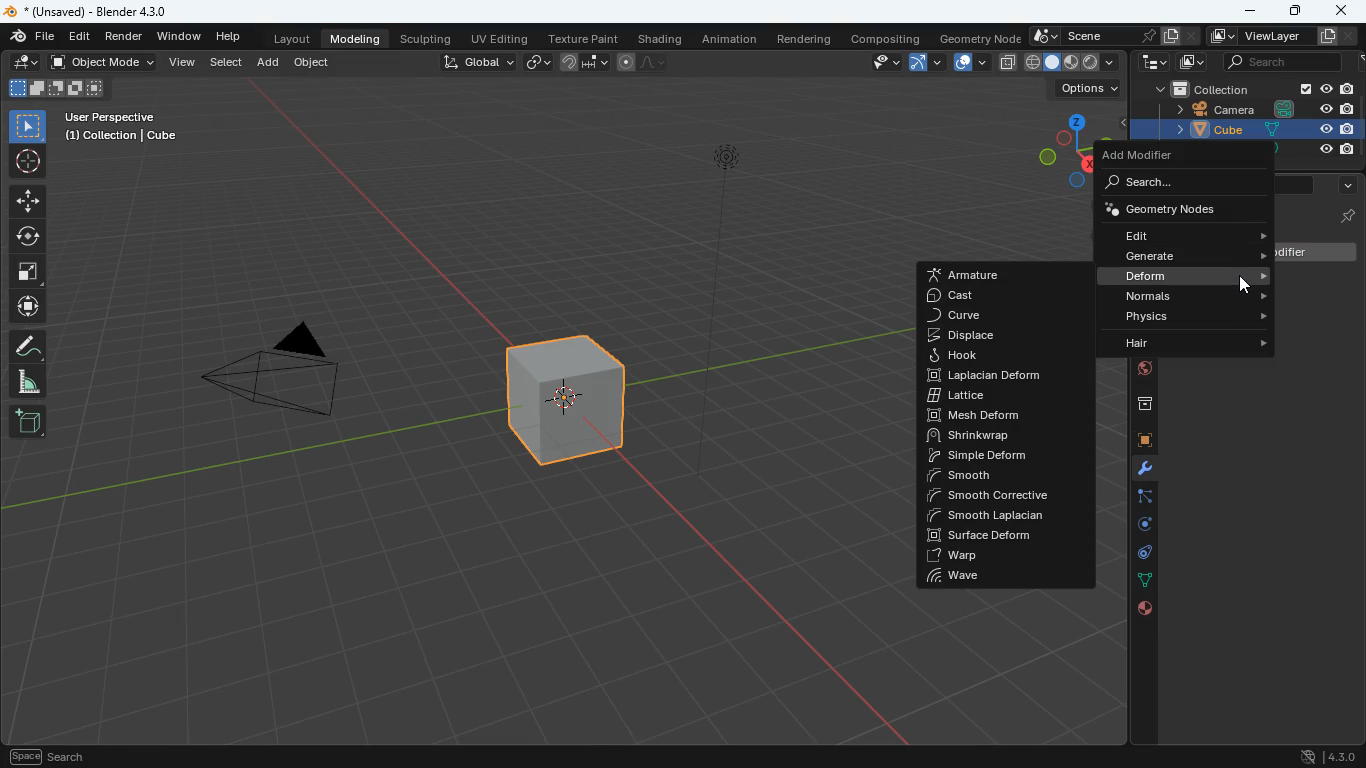 The height and width of the screenshot is (768, 1366). I want to click on angle, so click(36, 382).